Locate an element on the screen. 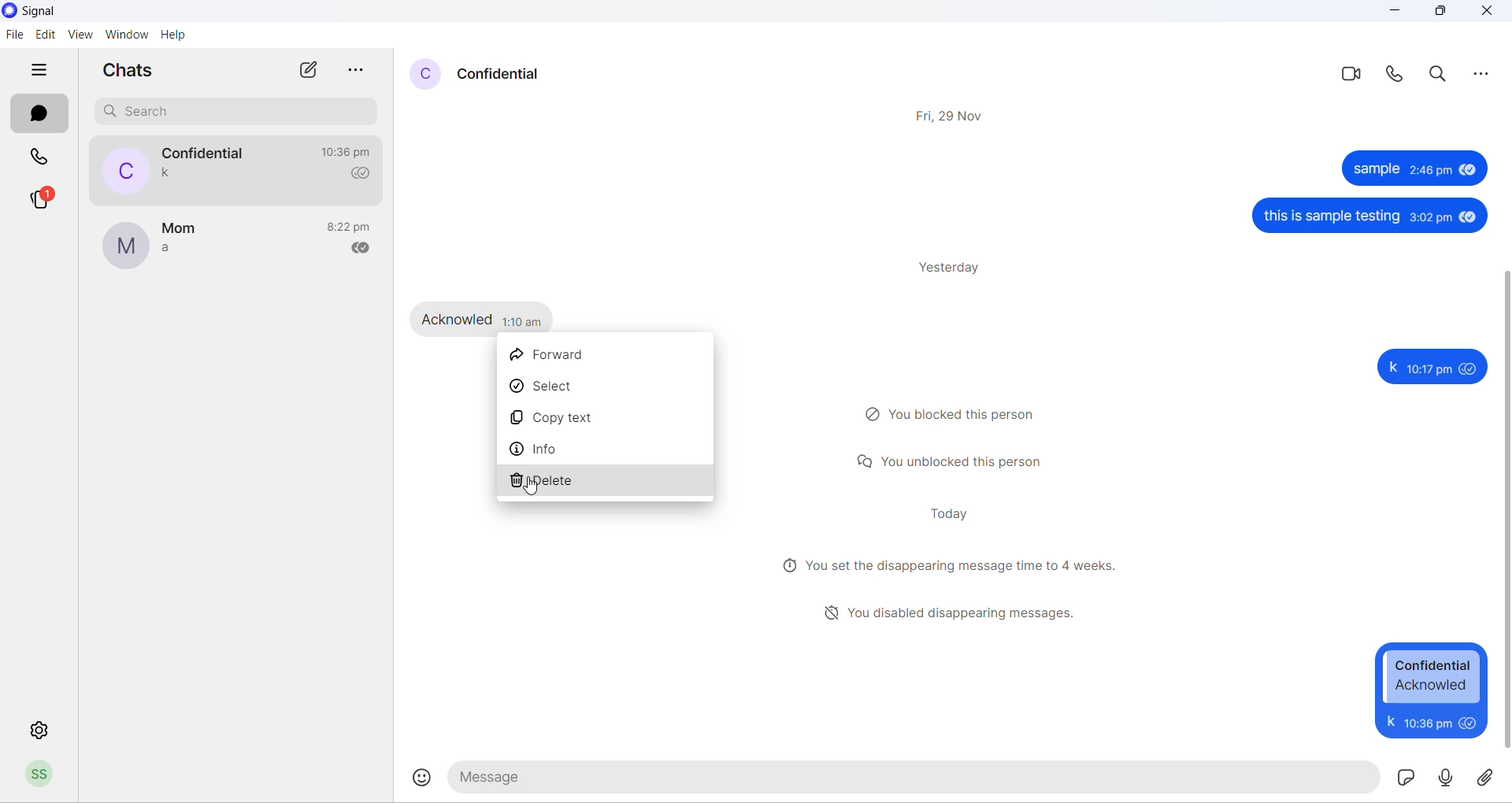  scroll bar is located at coordinates (1503, 509).